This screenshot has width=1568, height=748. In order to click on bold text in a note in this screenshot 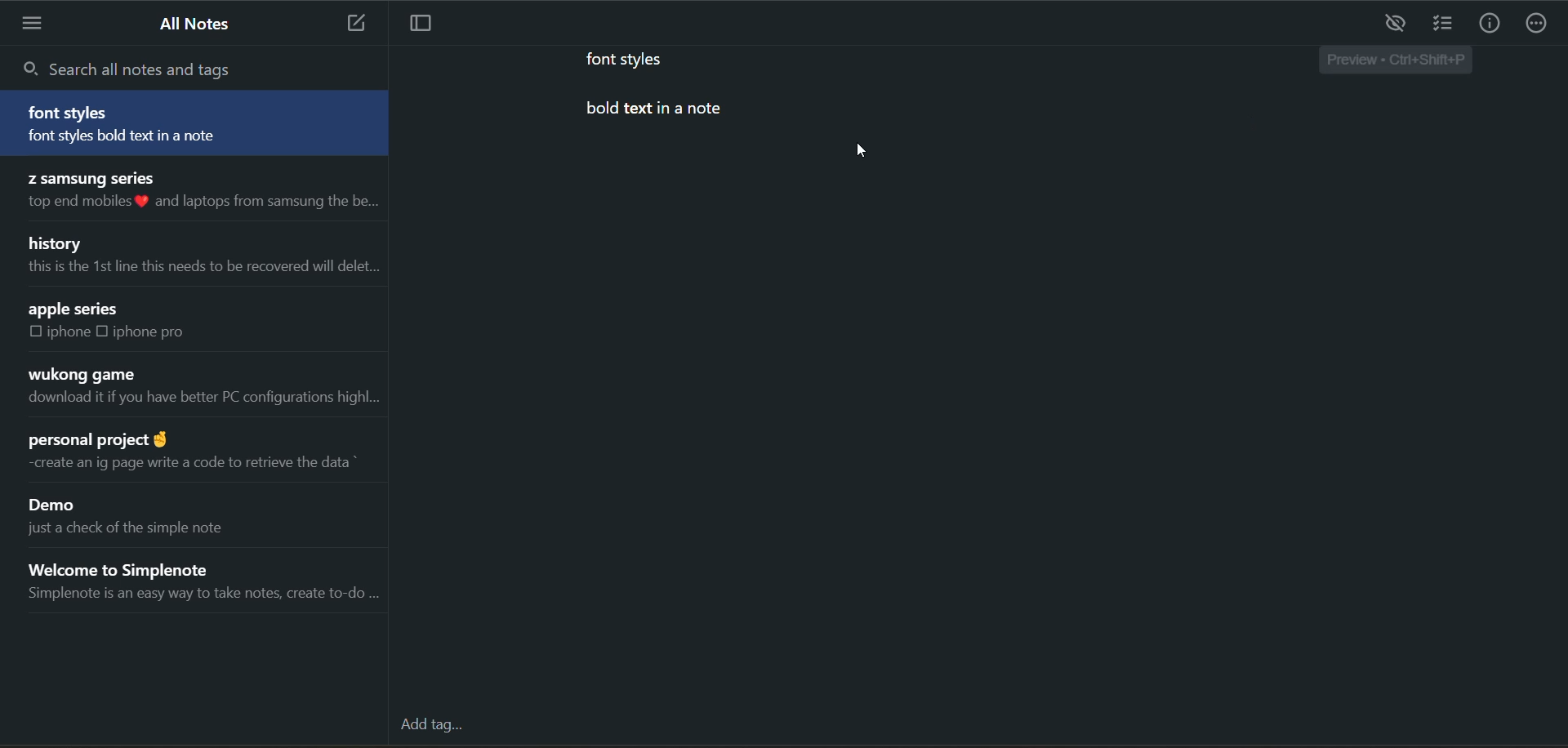, I will do `click(654, 113)`.